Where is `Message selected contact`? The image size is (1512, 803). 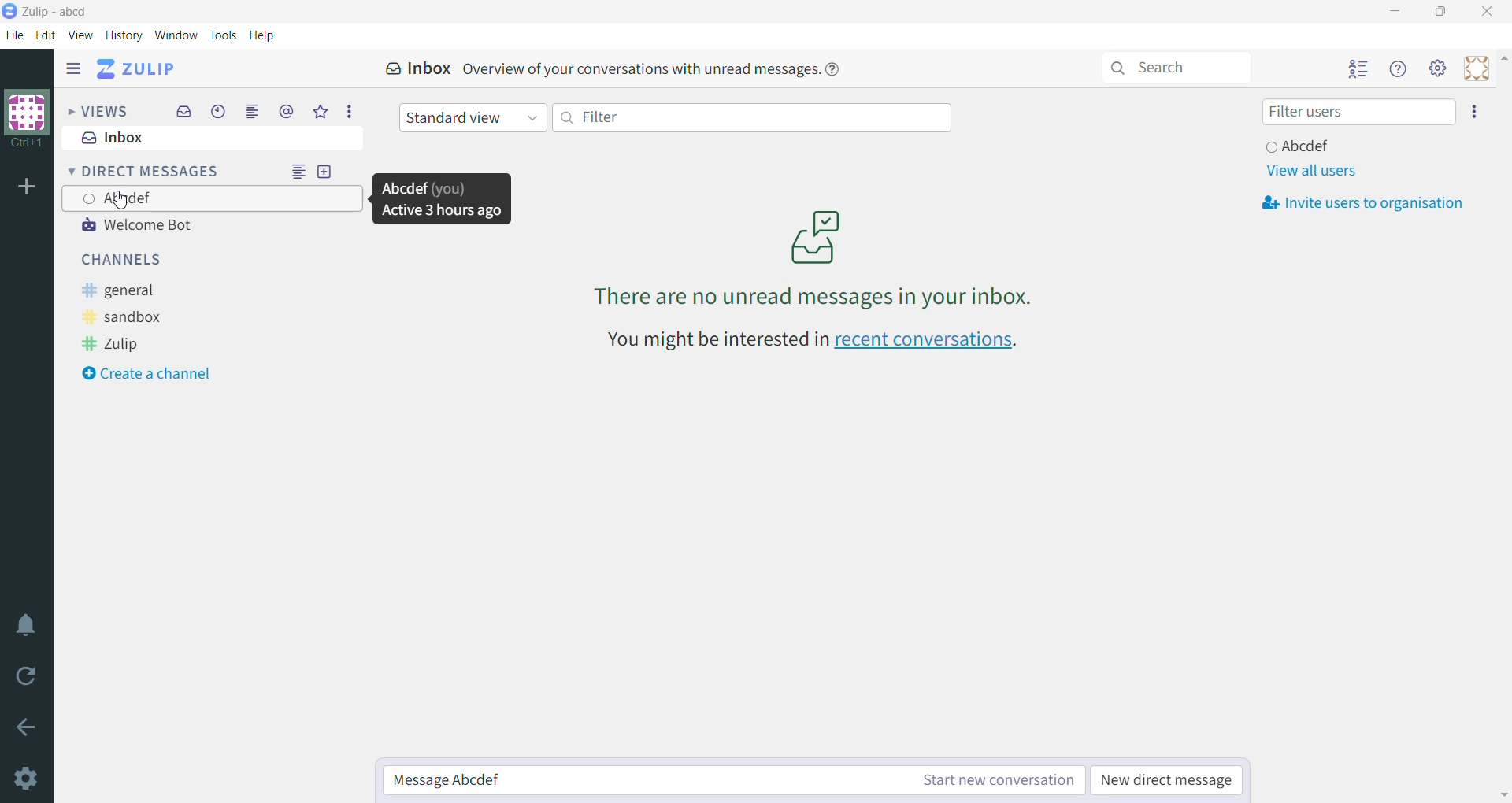 Message selected contact is located at coordinates (639, 781).